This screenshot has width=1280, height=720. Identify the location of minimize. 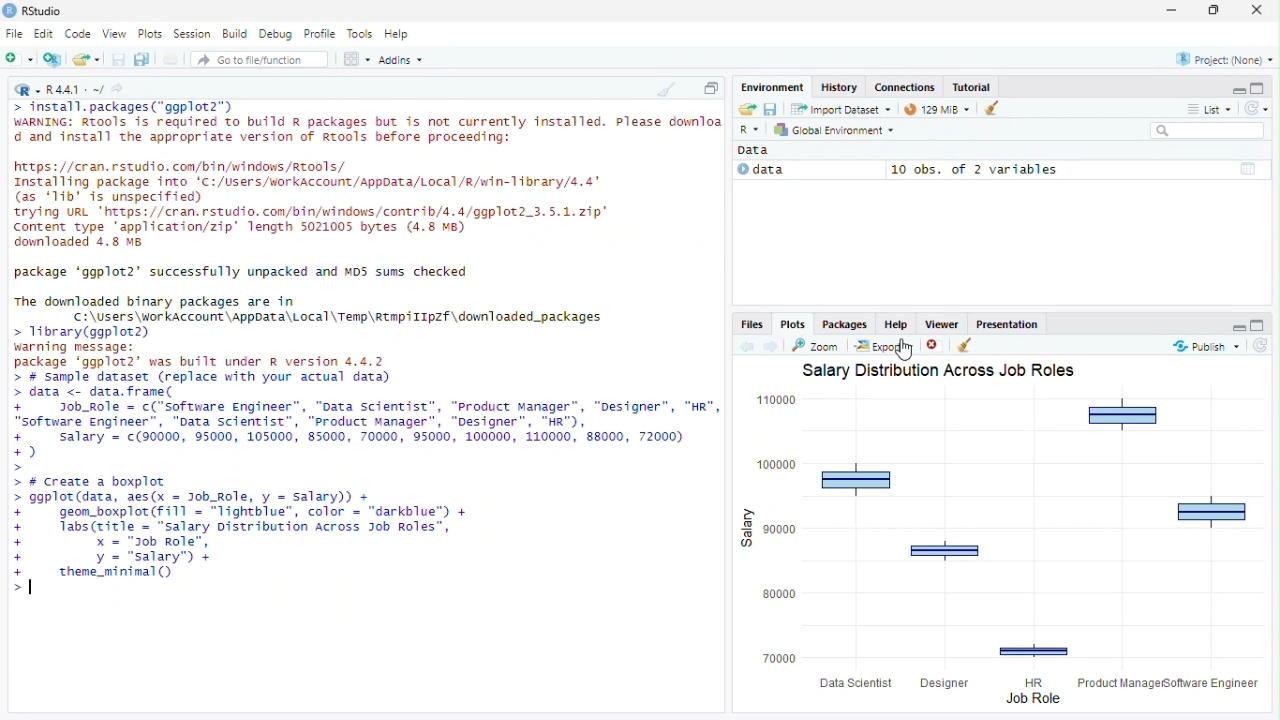
(1233, 326).